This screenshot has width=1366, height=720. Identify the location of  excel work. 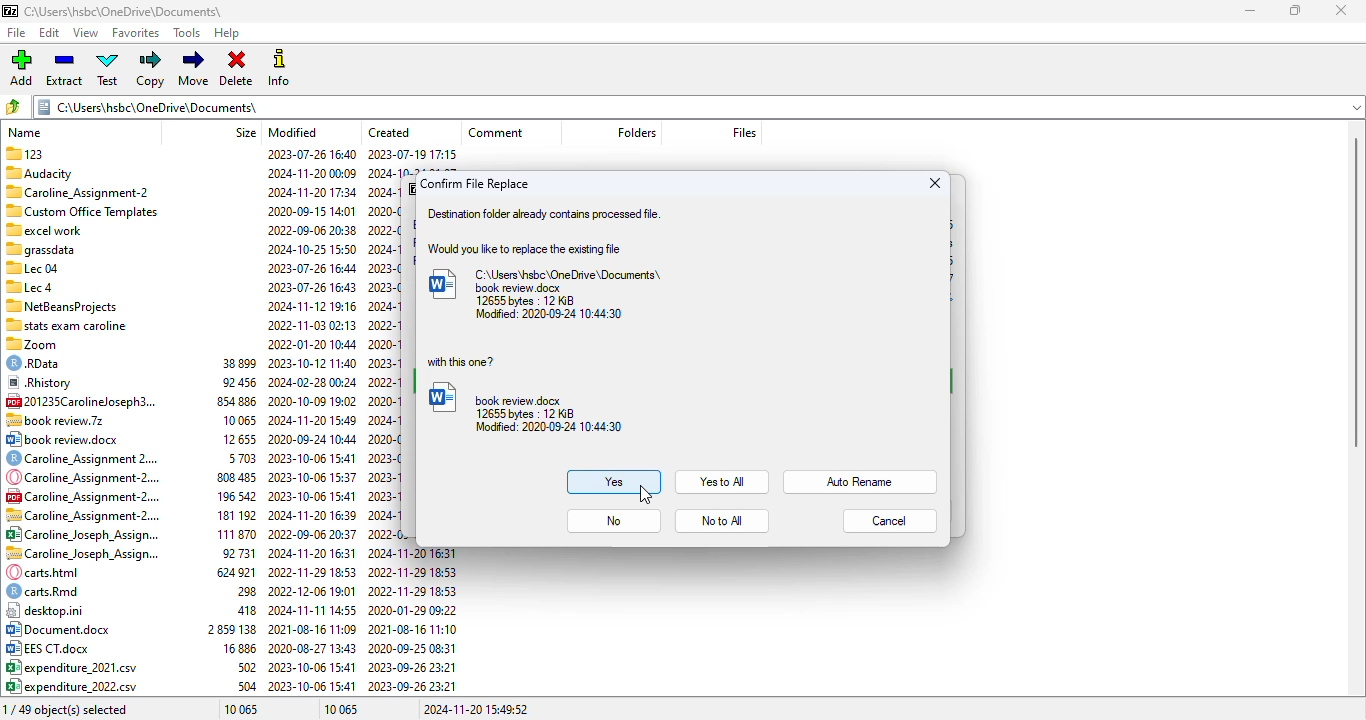
(45, 228).